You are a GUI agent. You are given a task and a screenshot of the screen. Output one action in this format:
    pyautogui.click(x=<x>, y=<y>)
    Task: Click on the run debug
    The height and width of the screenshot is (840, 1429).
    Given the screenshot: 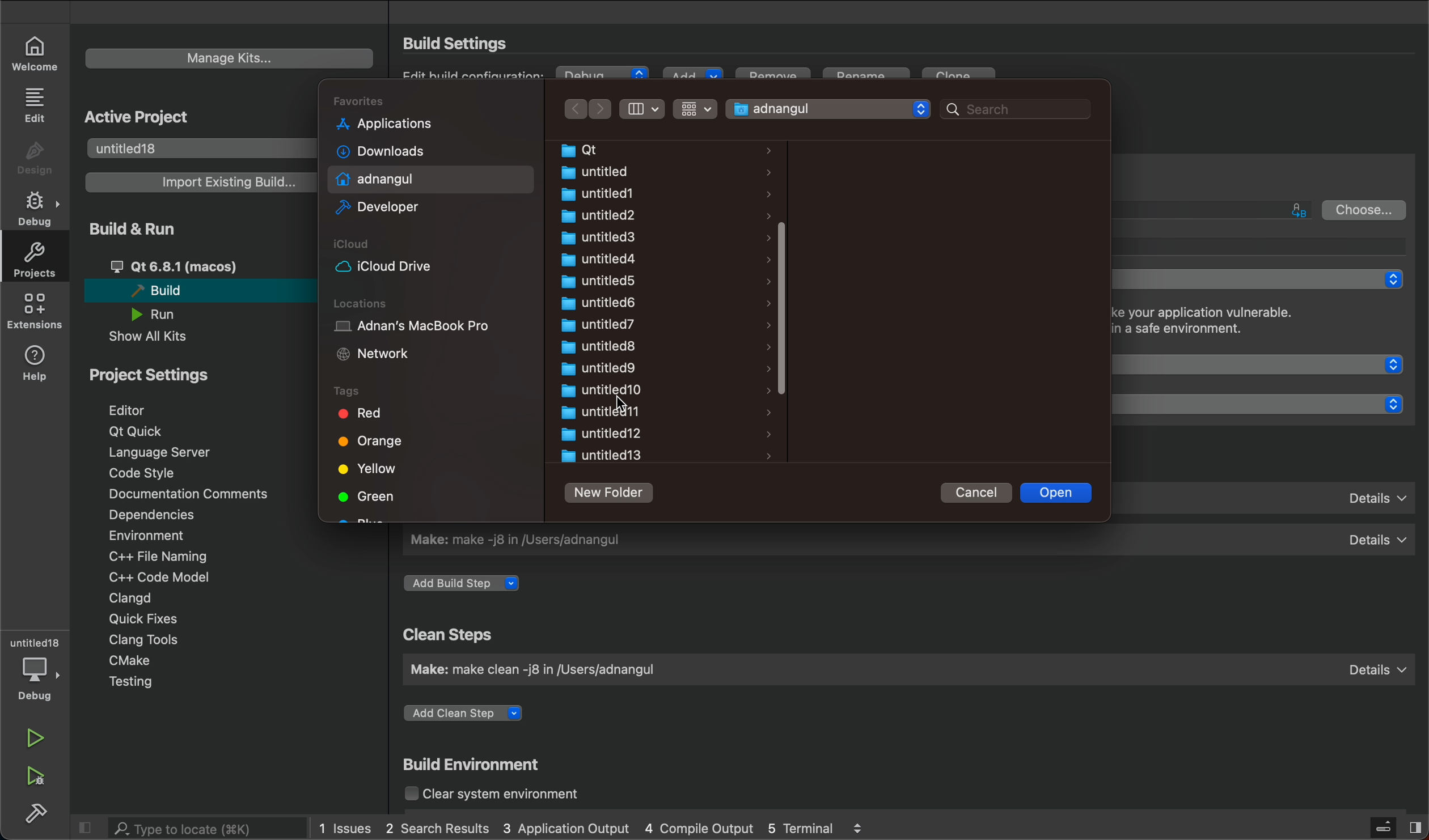 What is the action you would take?
    pyautogui.click(x=33, y=778)
    